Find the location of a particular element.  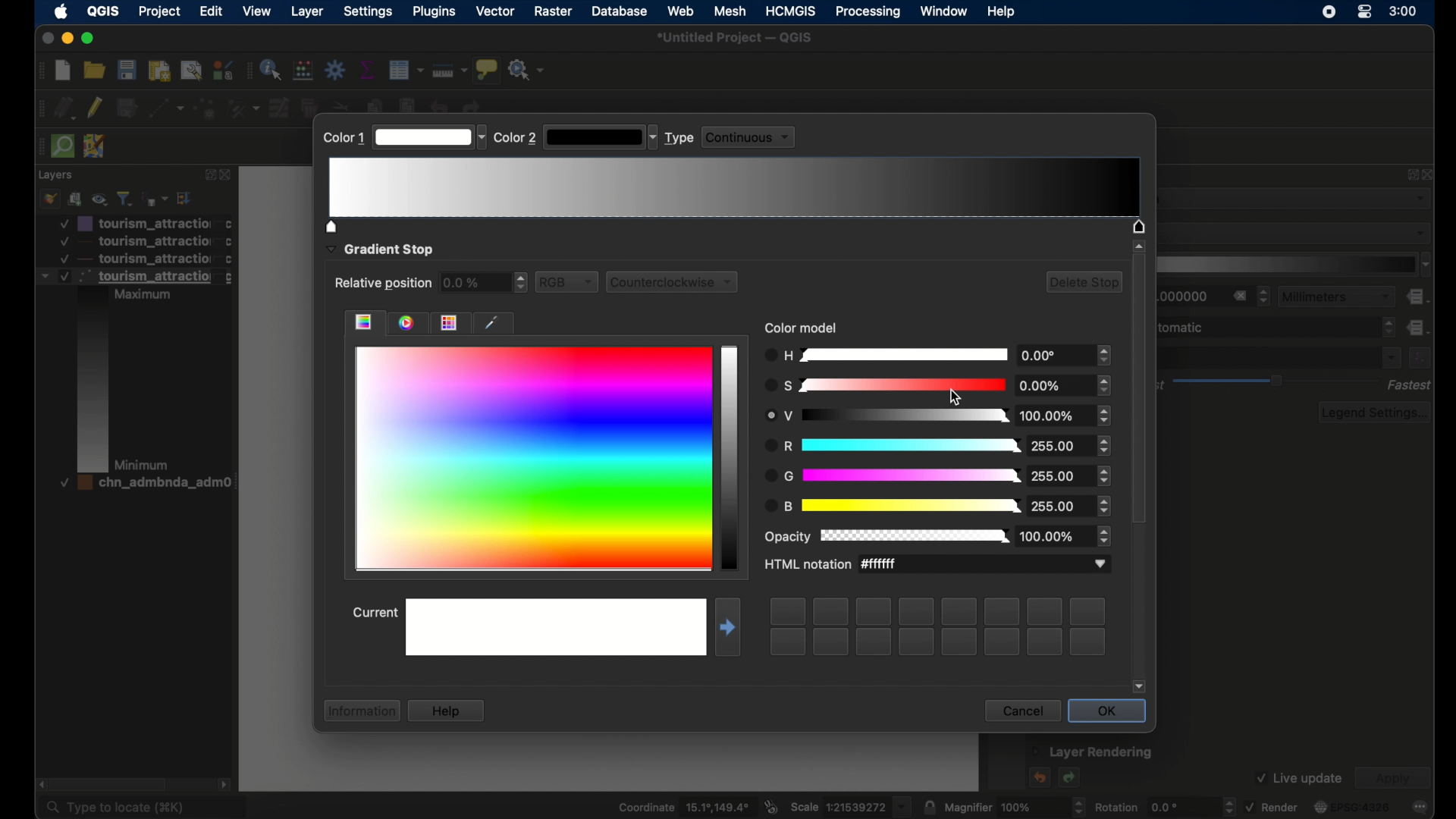

information is located at coordinates (359, 711).